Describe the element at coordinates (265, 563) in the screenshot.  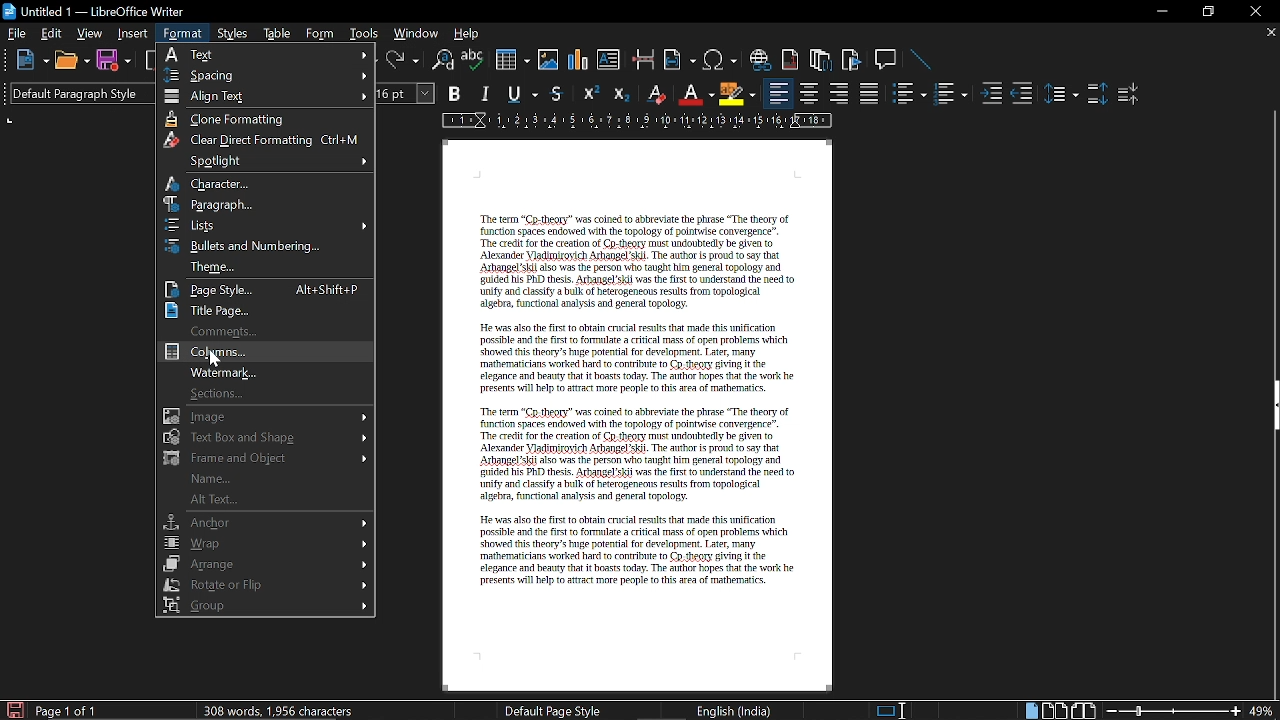
I see `Arrange` at that location.